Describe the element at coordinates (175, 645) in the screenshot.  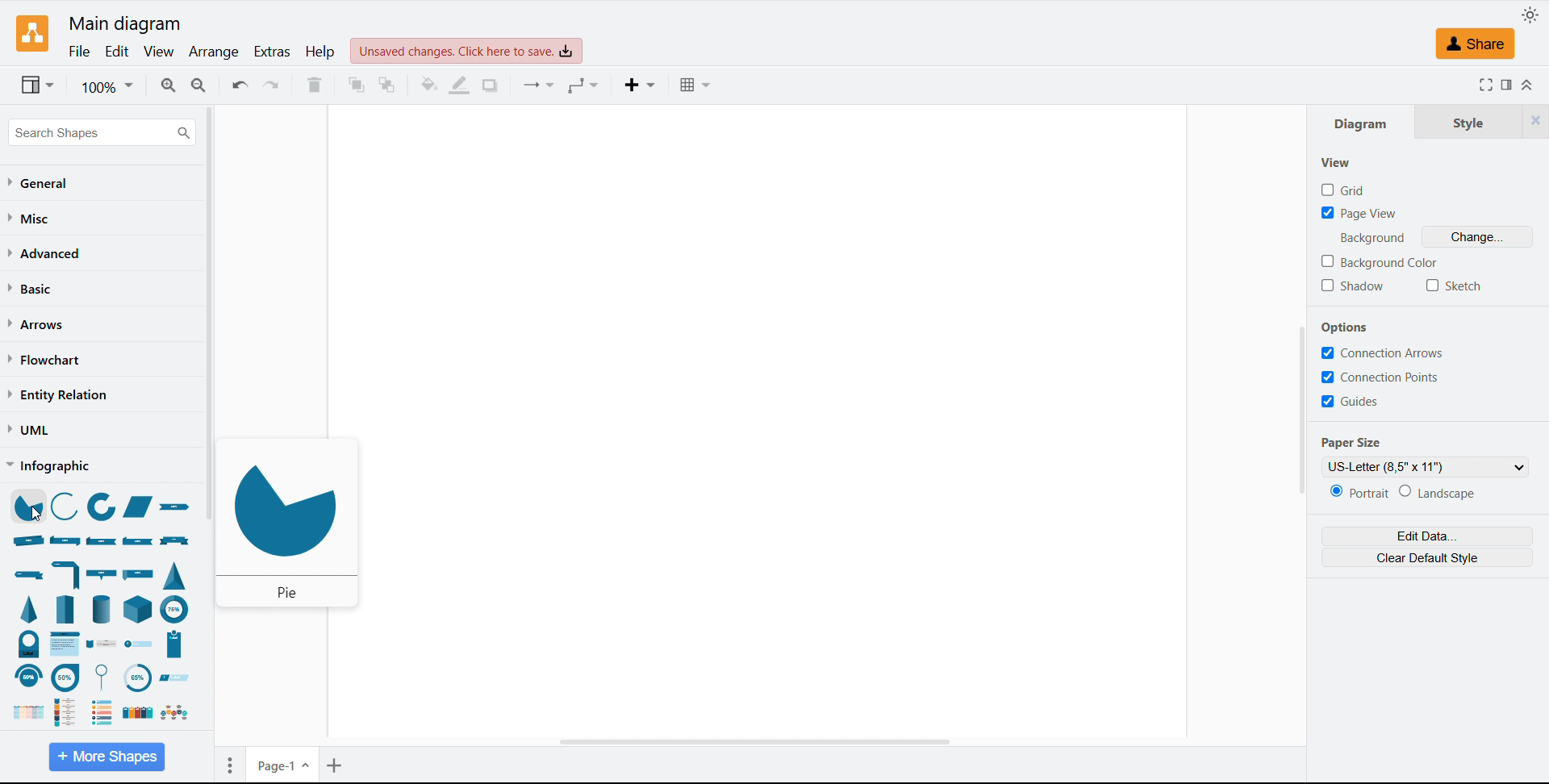
I see `numbered entry vertical` at that location.